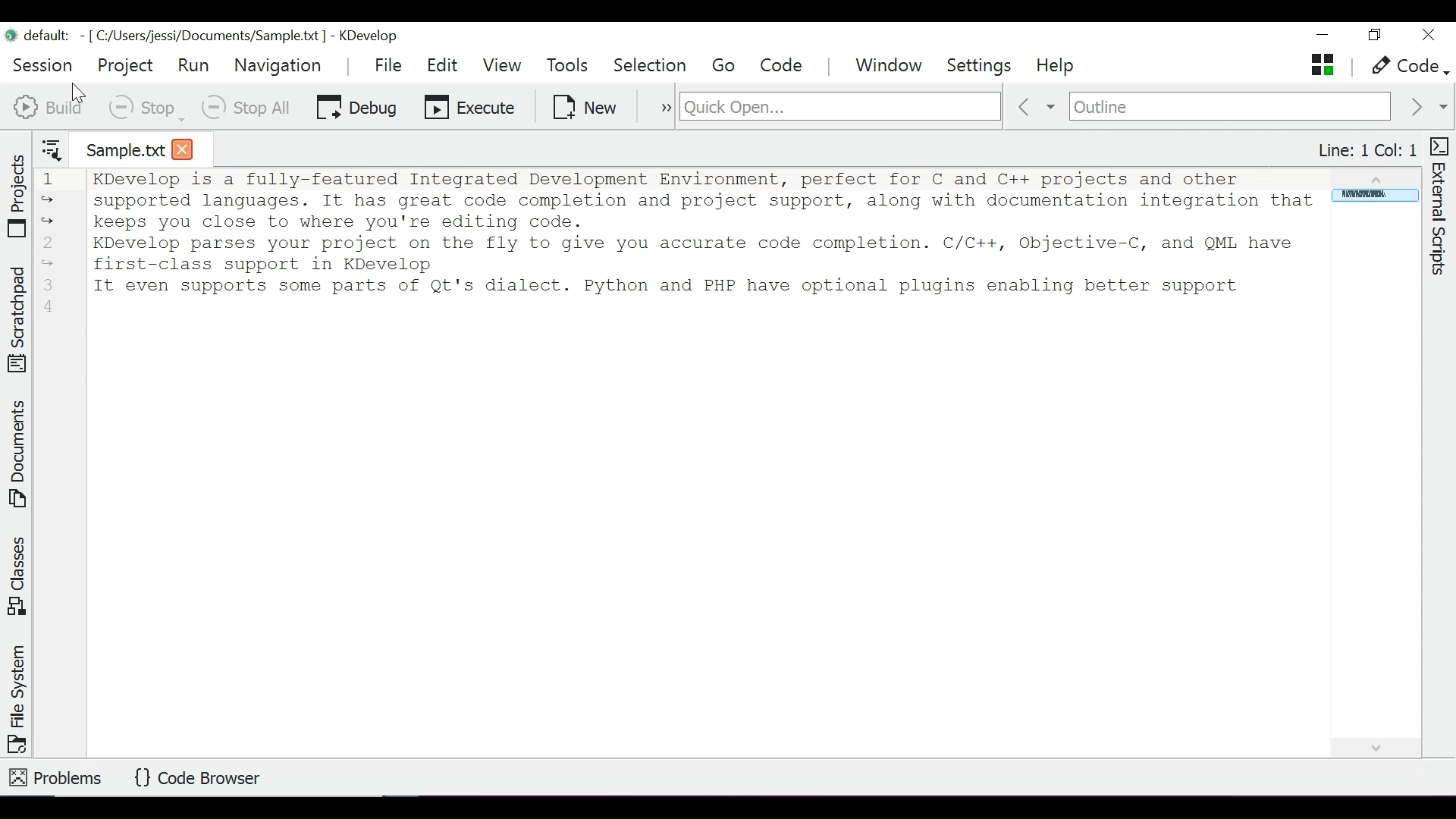  I want to click on Window, so click(888, 65).